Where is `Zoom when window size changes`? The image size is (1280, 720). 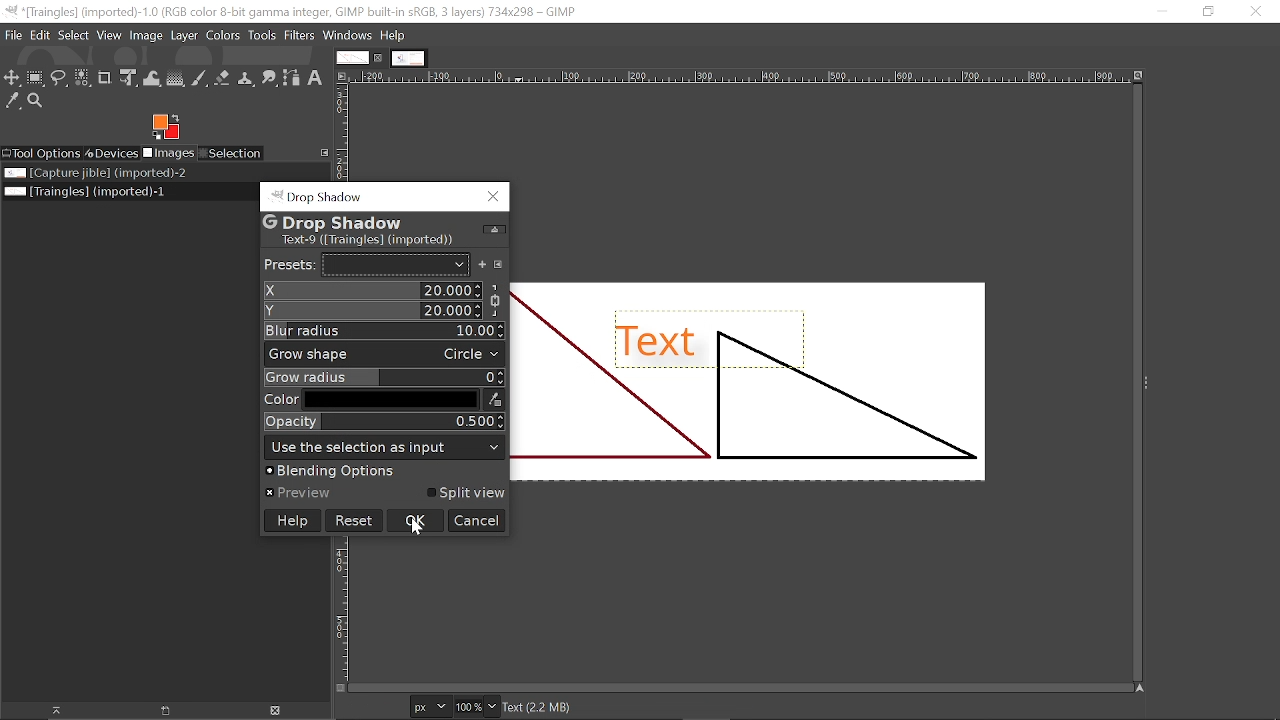 Zoom when window size changes is located at coordinates (1141, 76).